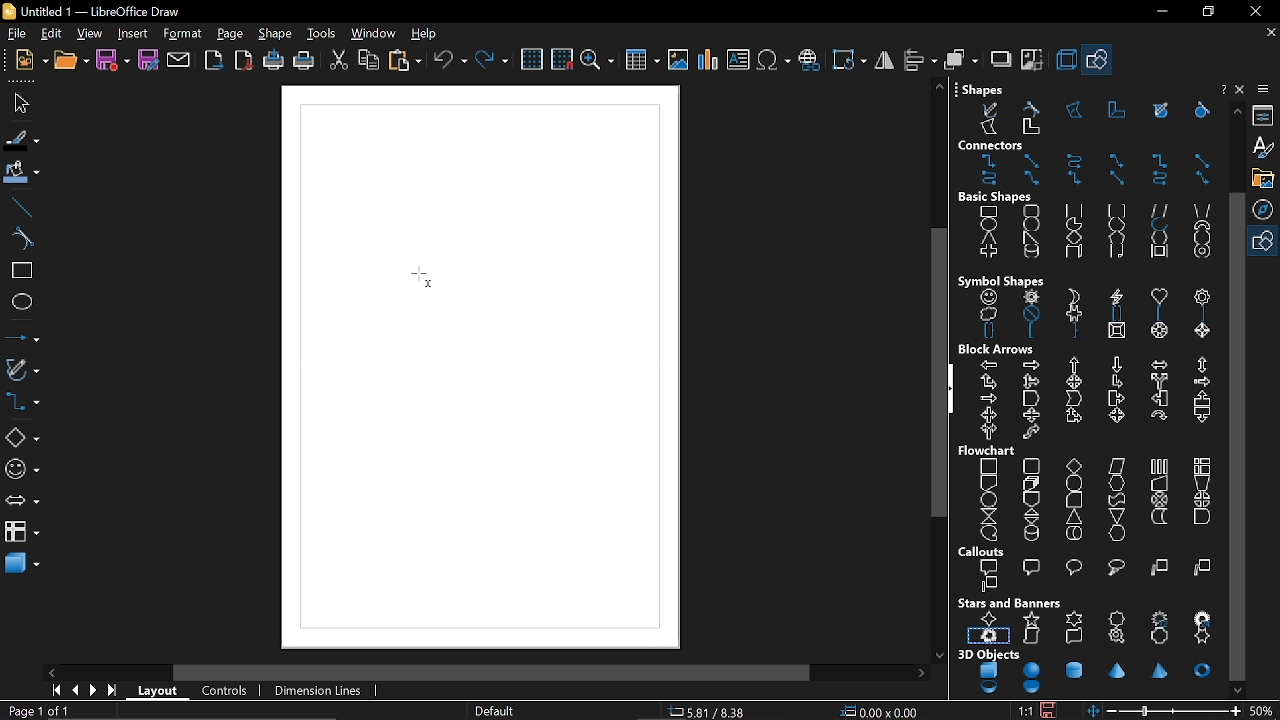  Describe the element at coordinates (1263, 178) in the screenshot. I see `gallery` at that location.